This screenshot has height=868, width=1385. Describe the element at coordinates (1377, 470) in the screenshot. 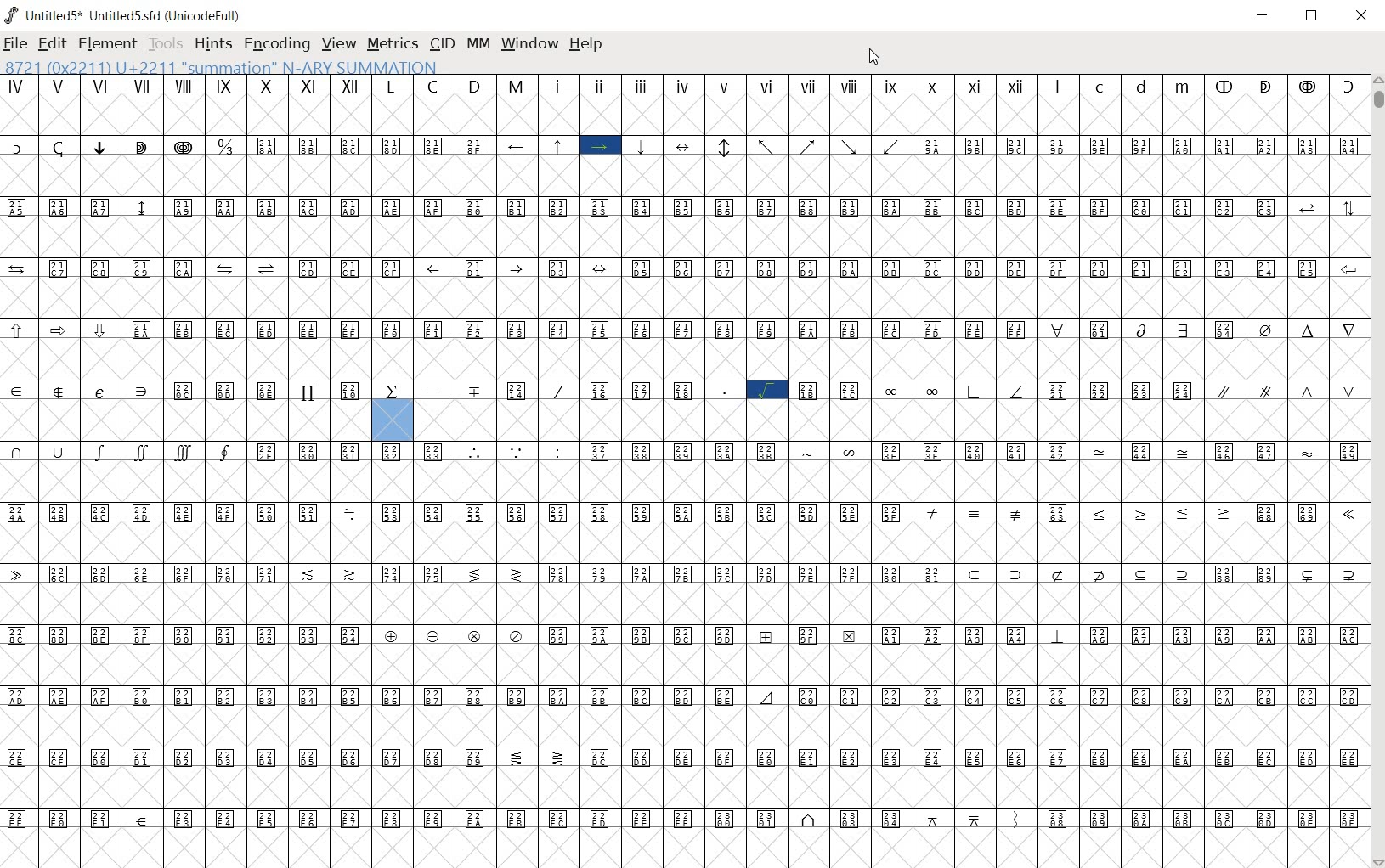

I see `SCROLLBAR` at that location.